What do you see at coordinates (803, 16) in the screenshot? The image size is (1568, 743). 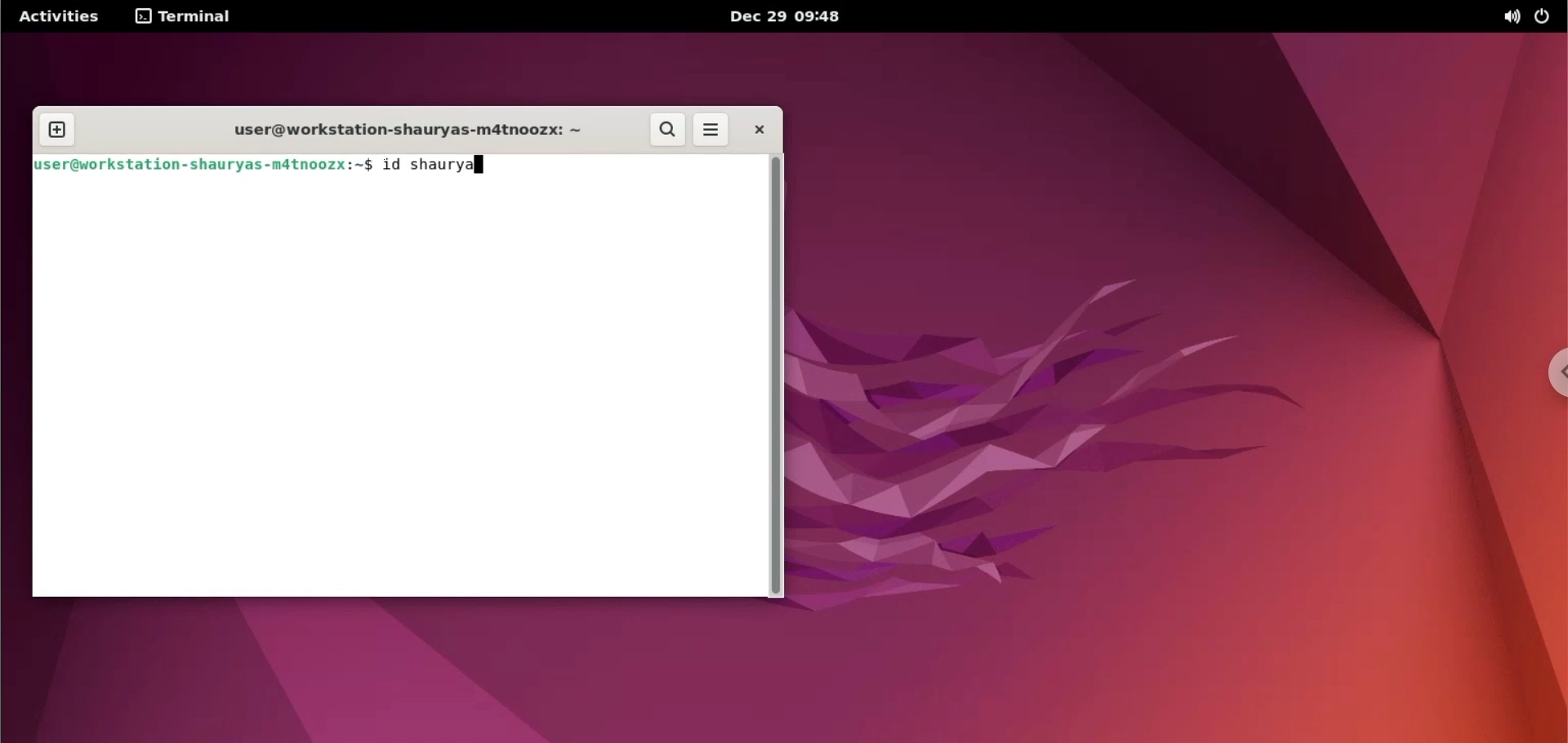 I see `Dec 29 09:48` at bounding box center [803, 16].